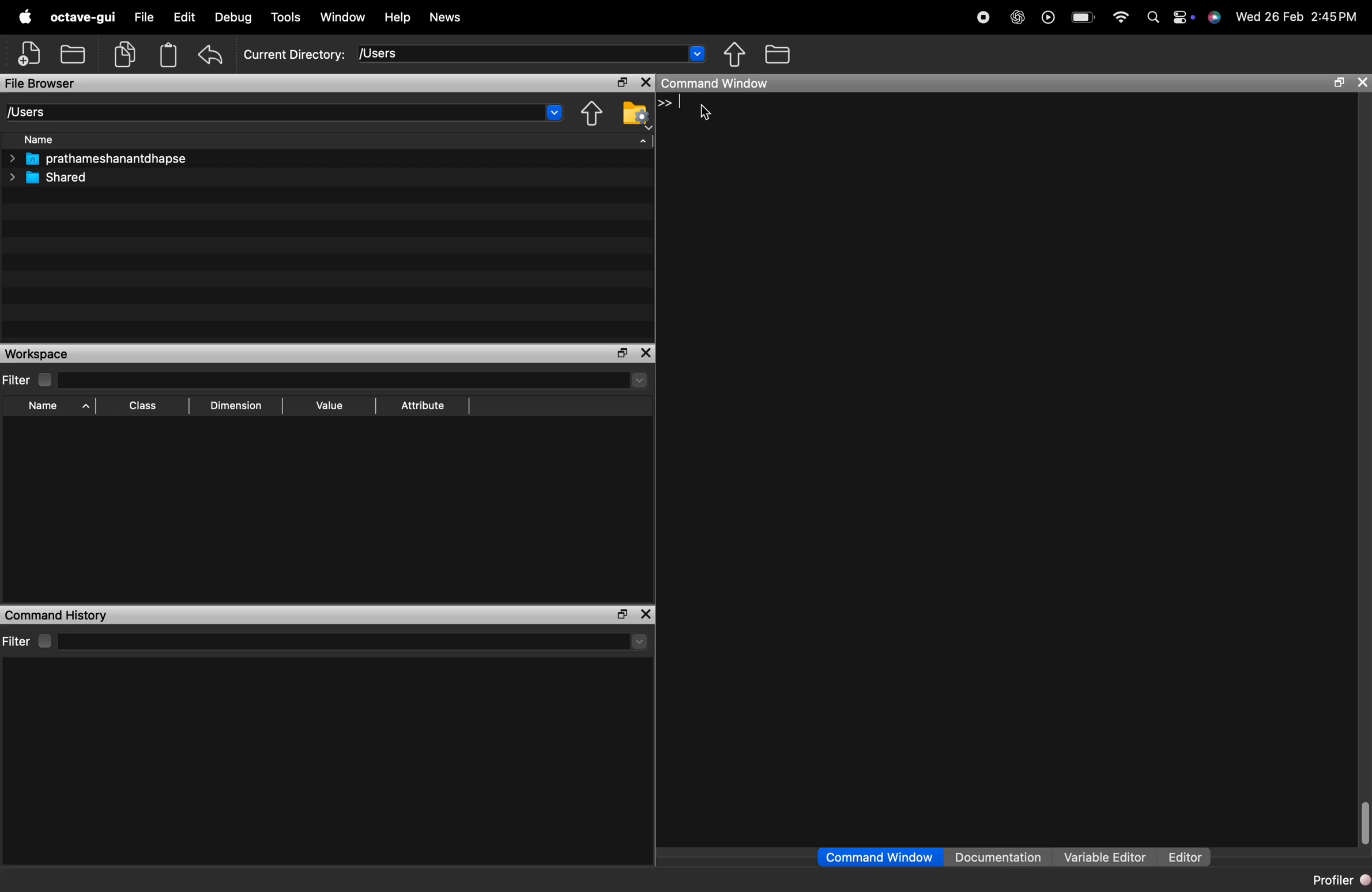  What do you see at coordinates (618, 80) in the screenshot?
I see `maximise` at bounding box center [618, 80].